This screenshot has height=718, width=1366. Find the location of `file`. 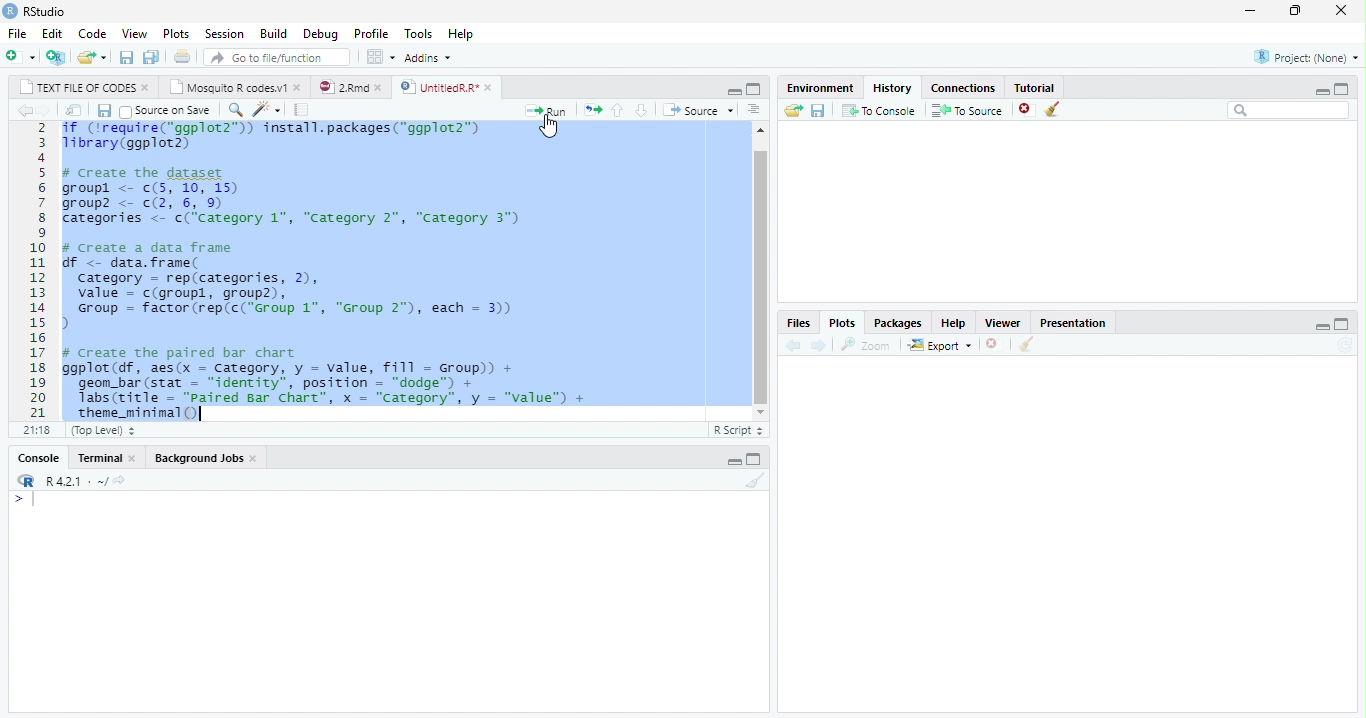

file is located at coordinates (15, 32).